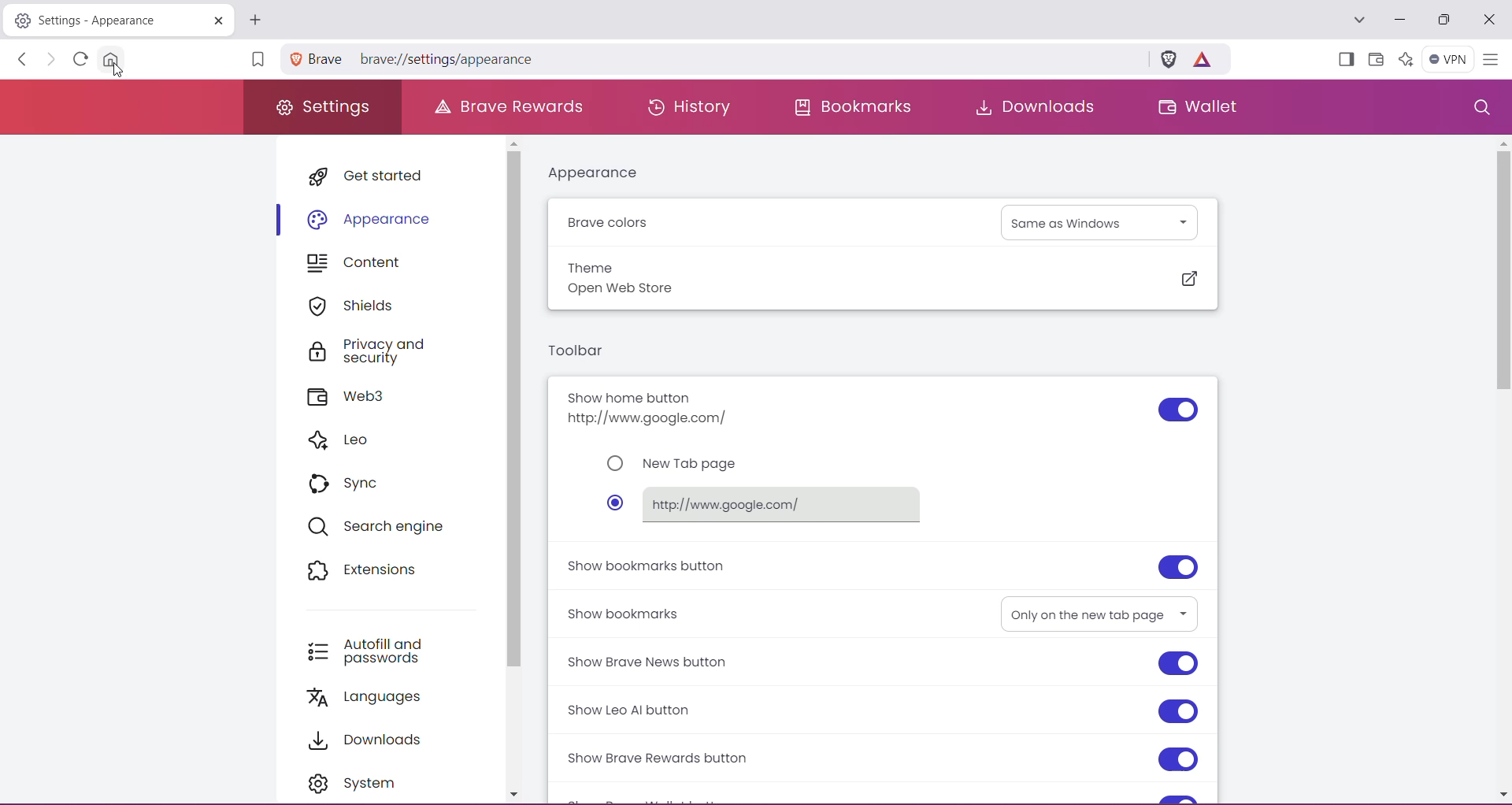 This screenshot has width=1512, height=805. What do you see at coordinates (324, 108) in the screenshot?
I see `Settings` at bounding box center [324, 108].